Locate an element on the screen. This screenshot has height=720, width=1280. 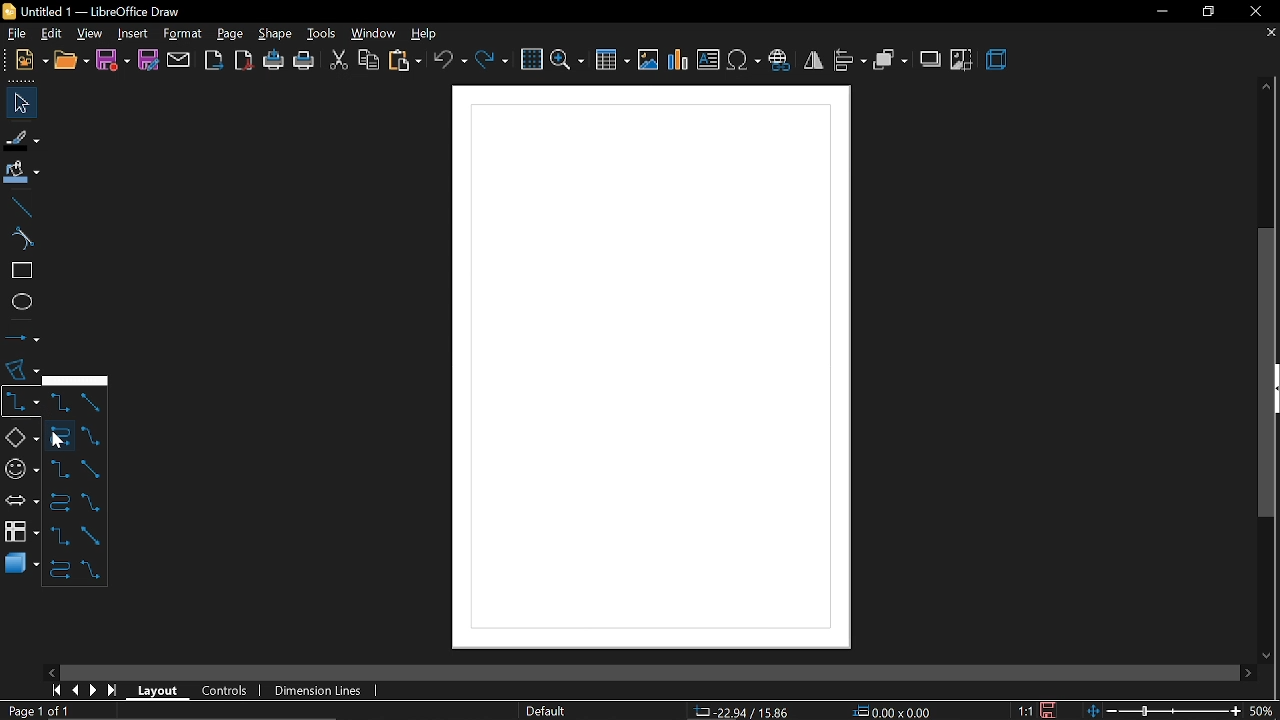
zoom change is located at coordinates (1166, 712).